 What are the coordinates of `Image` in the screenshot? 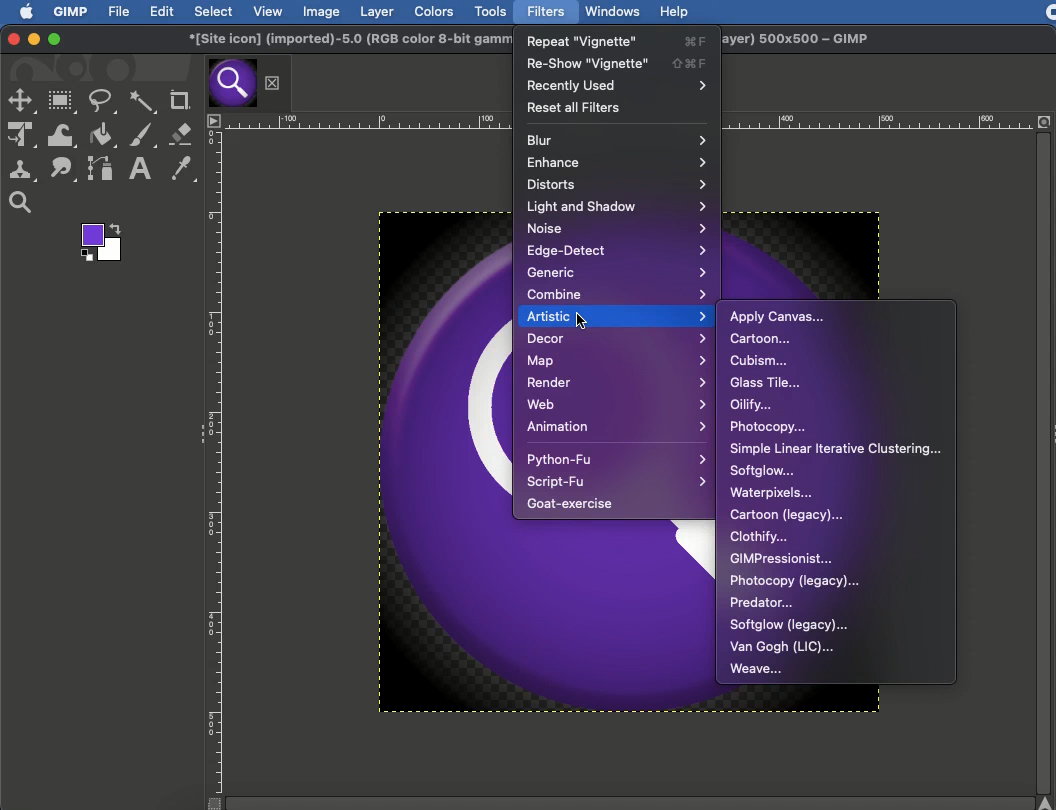 It's located at (435, 462).